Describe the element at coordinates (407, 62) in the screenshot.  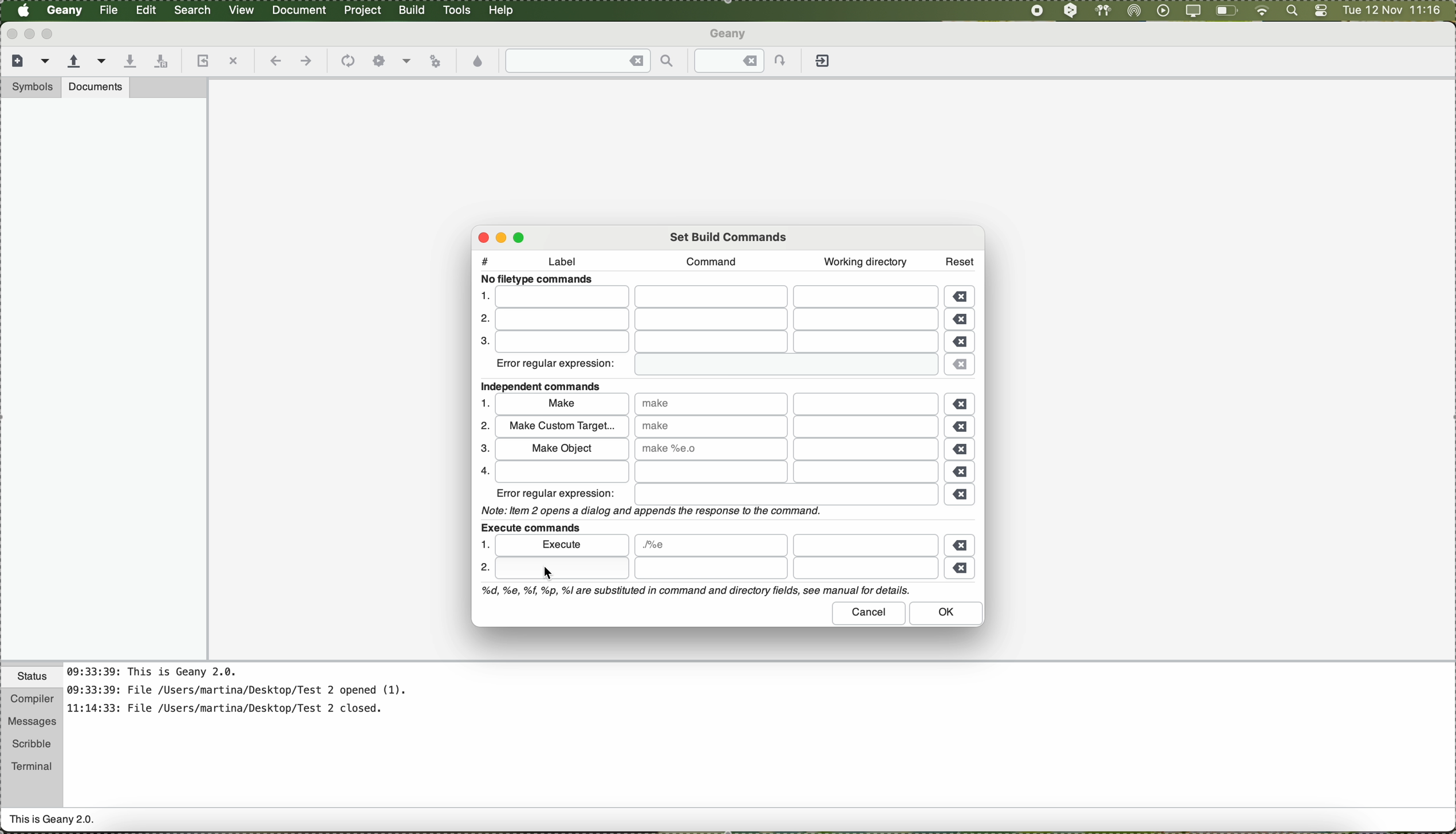
I see `icon` at that location.